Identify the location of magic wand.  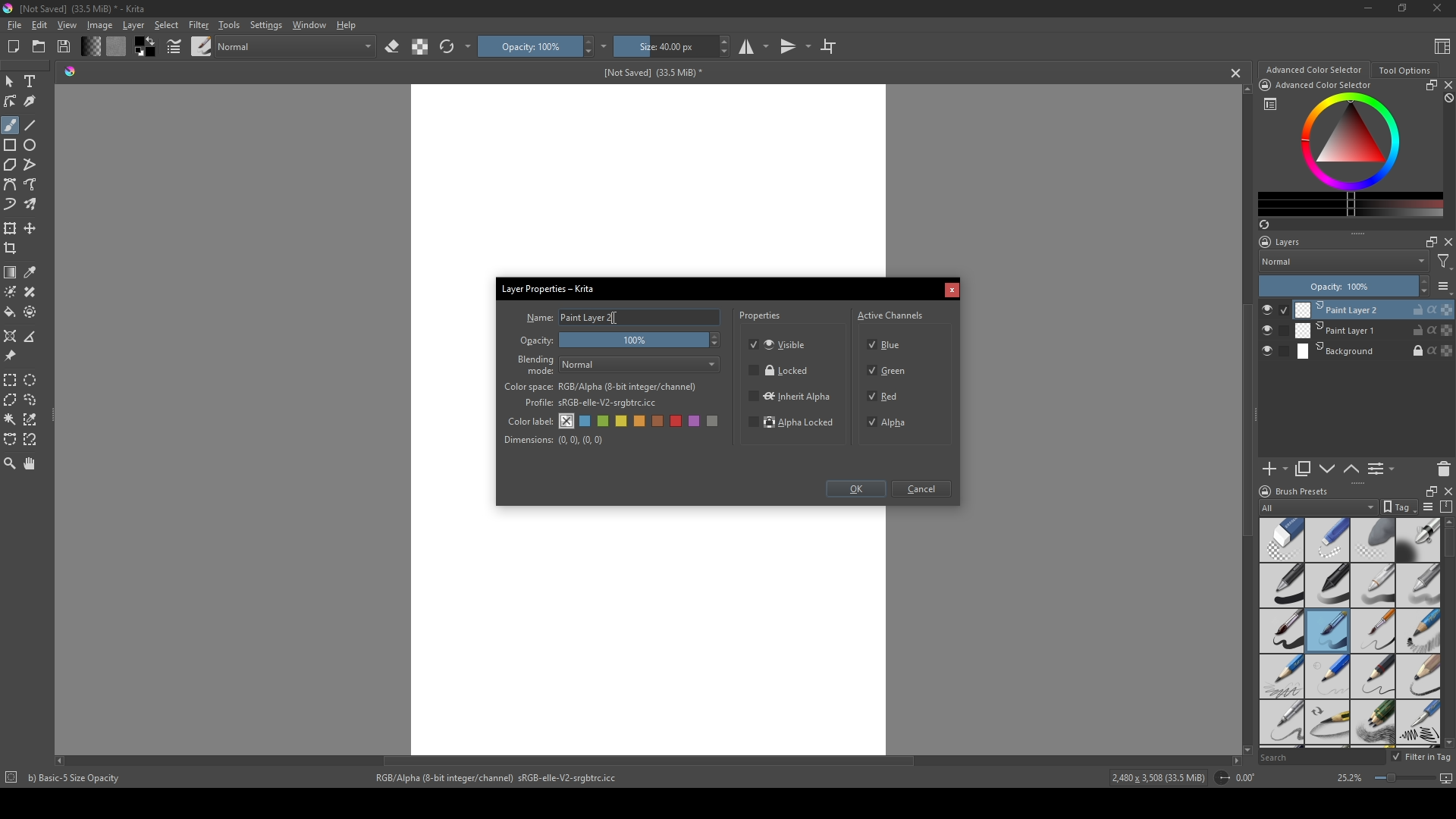
(10, 419).